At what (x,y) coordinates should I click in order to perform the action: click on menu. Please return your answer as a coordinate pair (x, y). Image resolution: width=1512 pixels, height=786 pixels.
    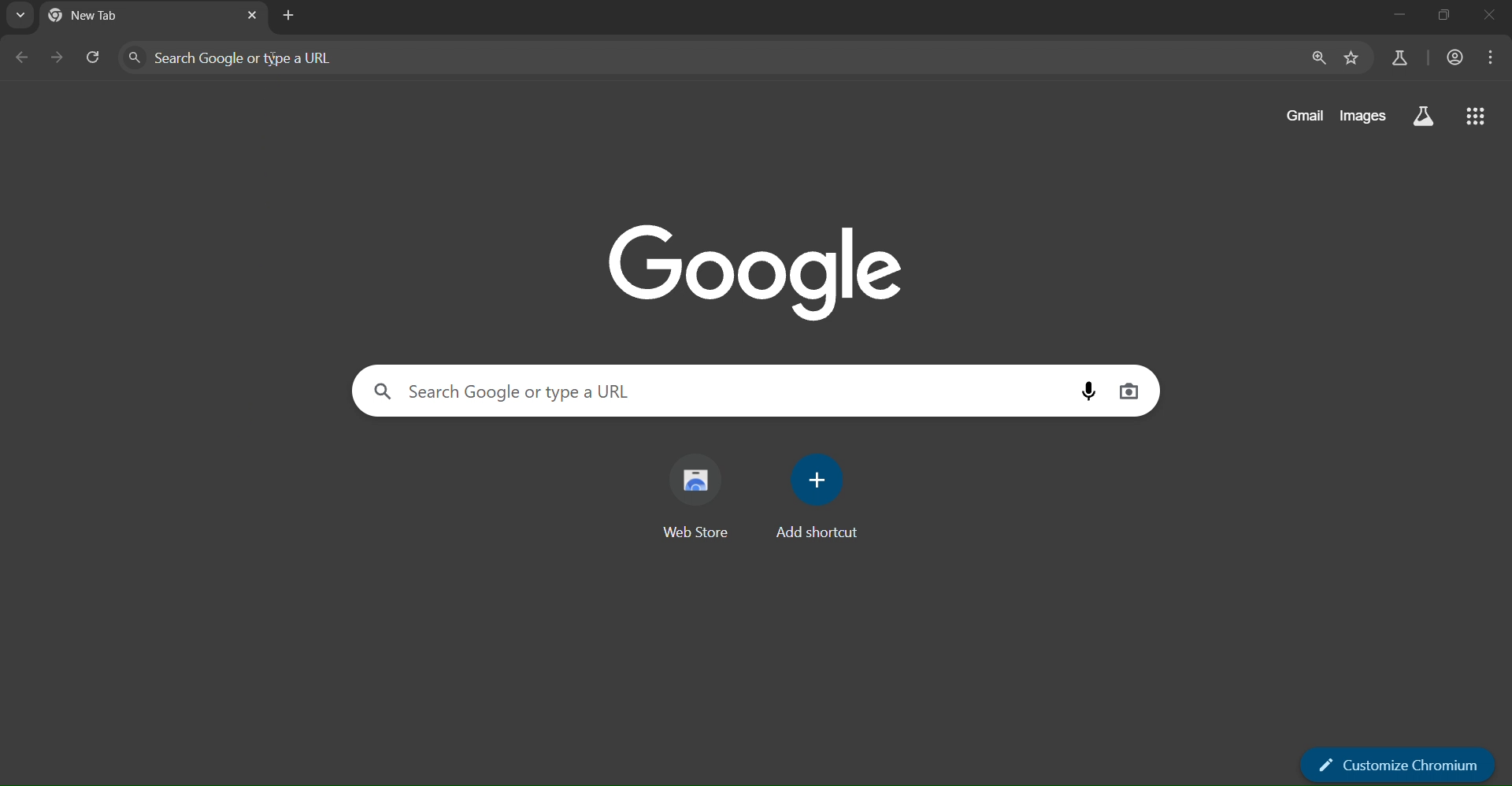
    Looking at the image, I should click on (1493, 60).